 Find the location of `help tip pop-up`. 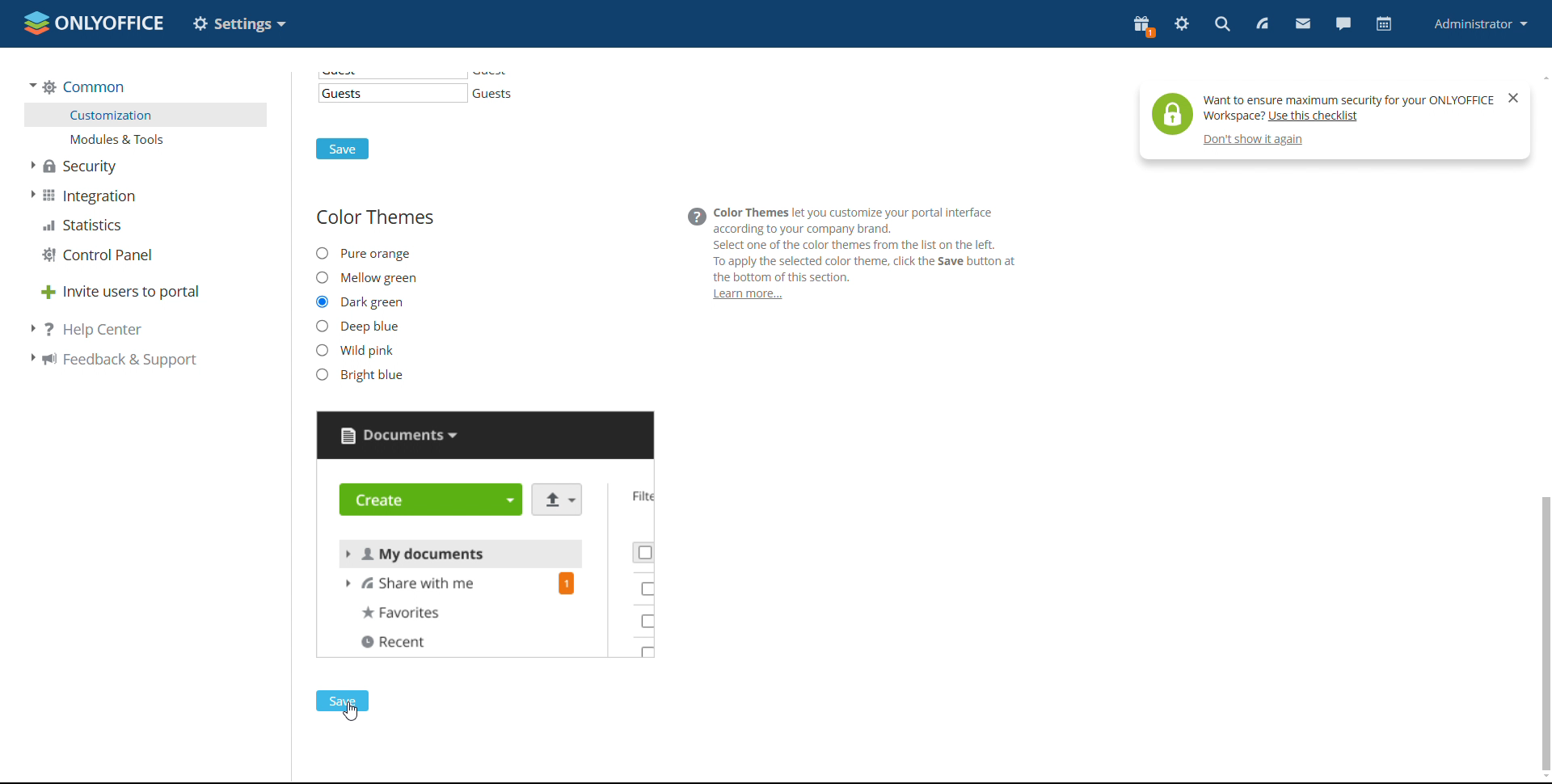

help tip pop-up is located at coordinates (1318, 109).